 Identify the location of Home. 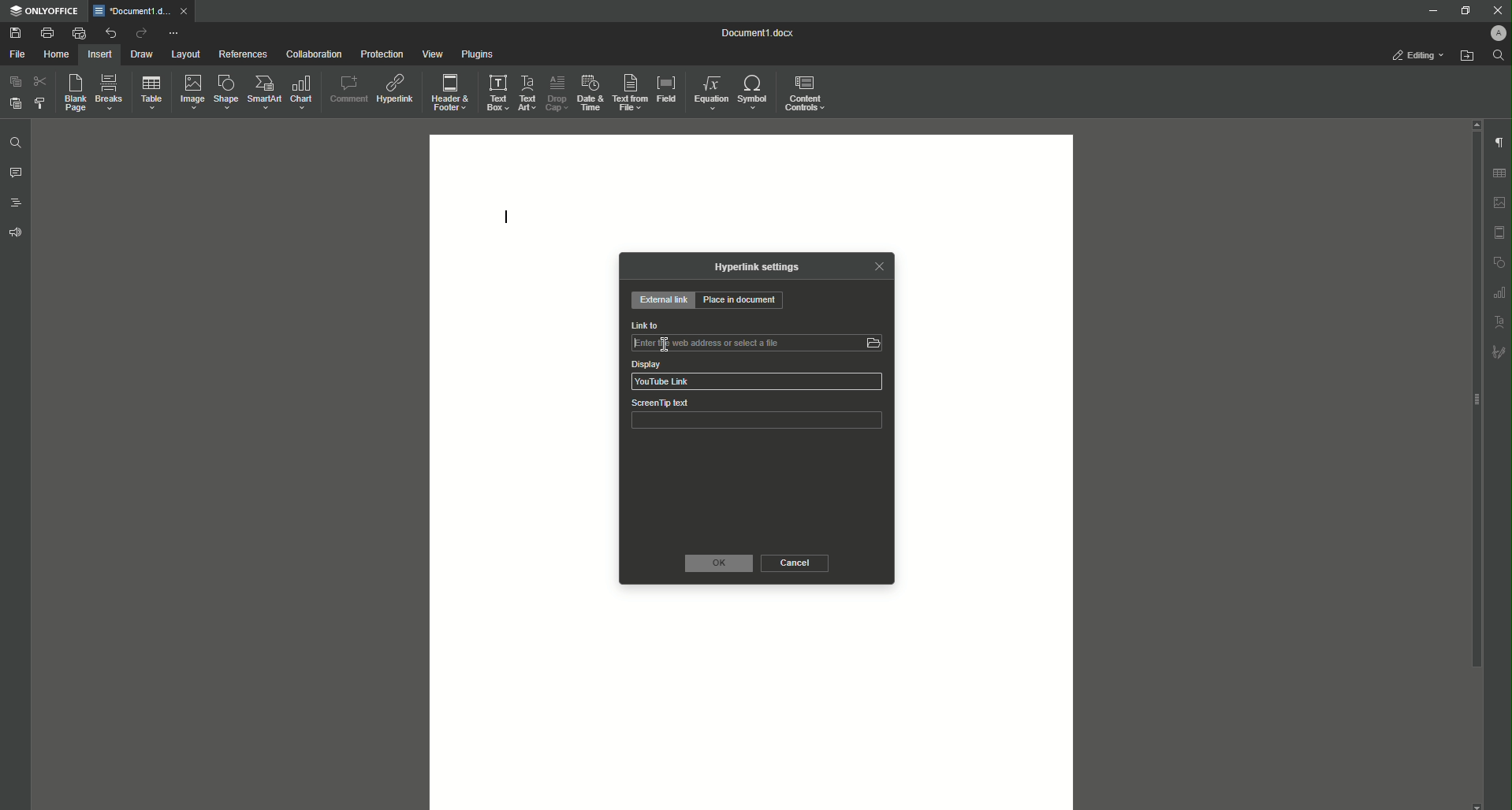
(58, 54).